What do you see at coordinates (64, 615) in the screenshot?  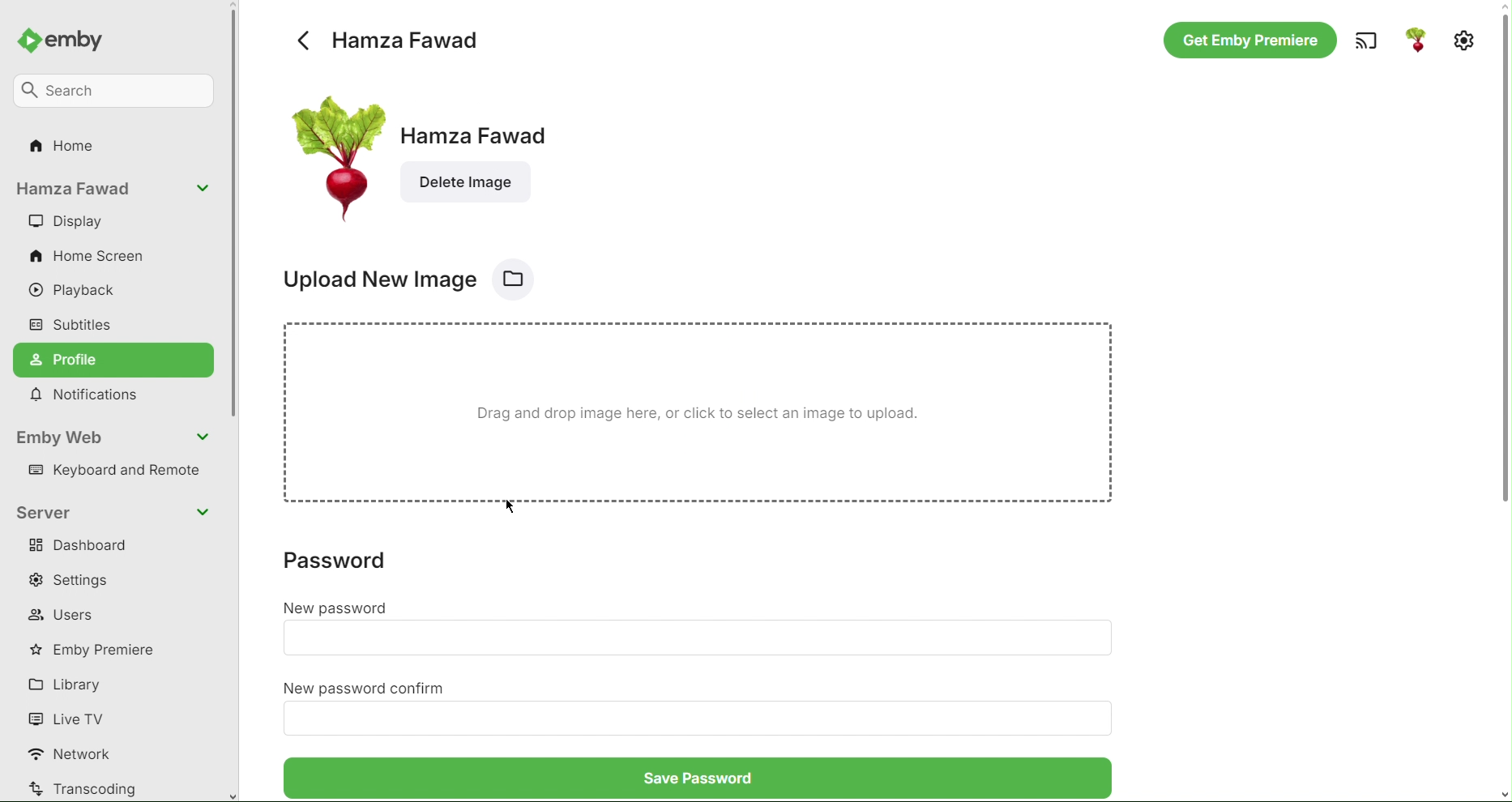 I see `Users` at bounding box center [64, 615].